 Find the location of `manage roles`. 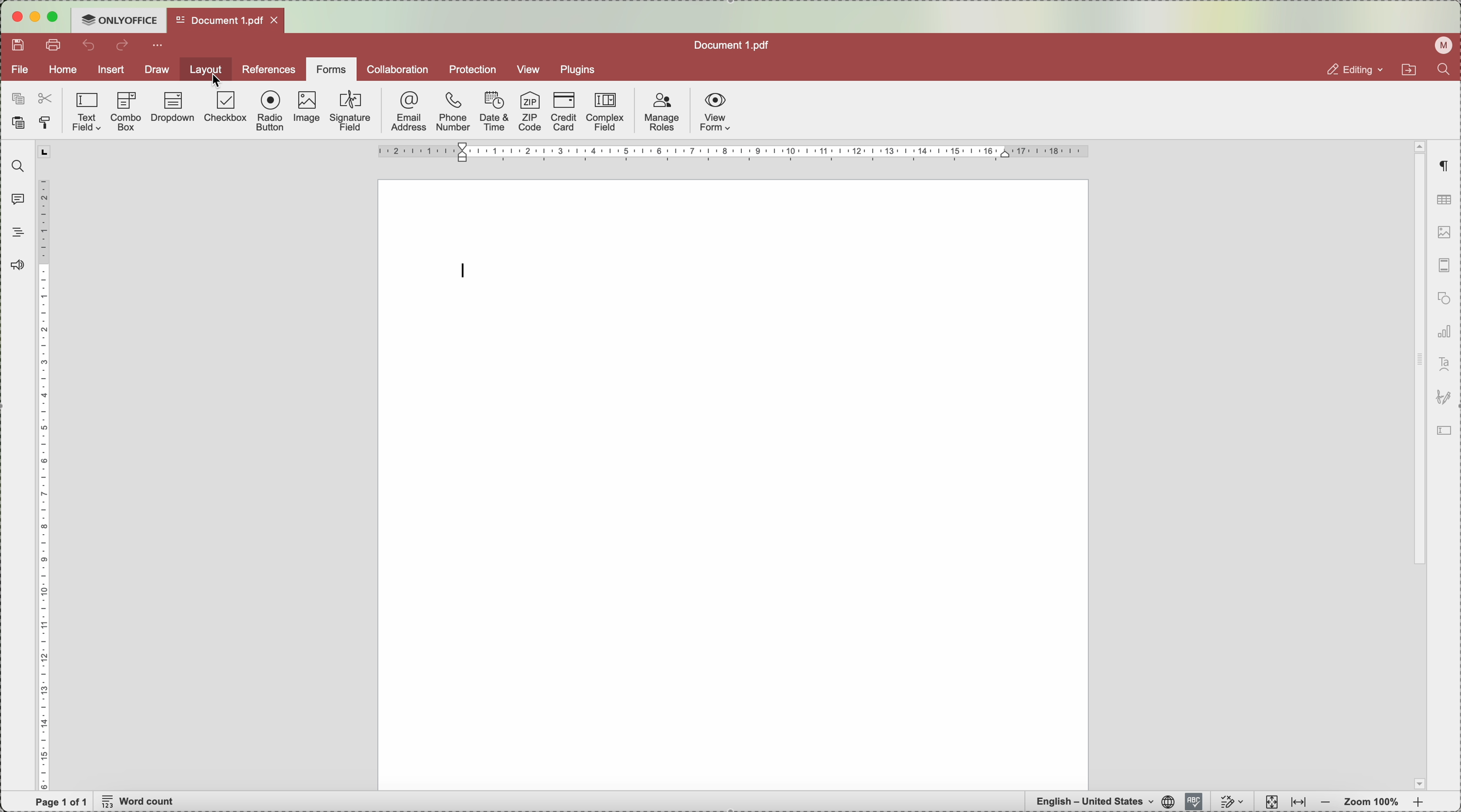

manage roles is located at coordinates (662, 113).